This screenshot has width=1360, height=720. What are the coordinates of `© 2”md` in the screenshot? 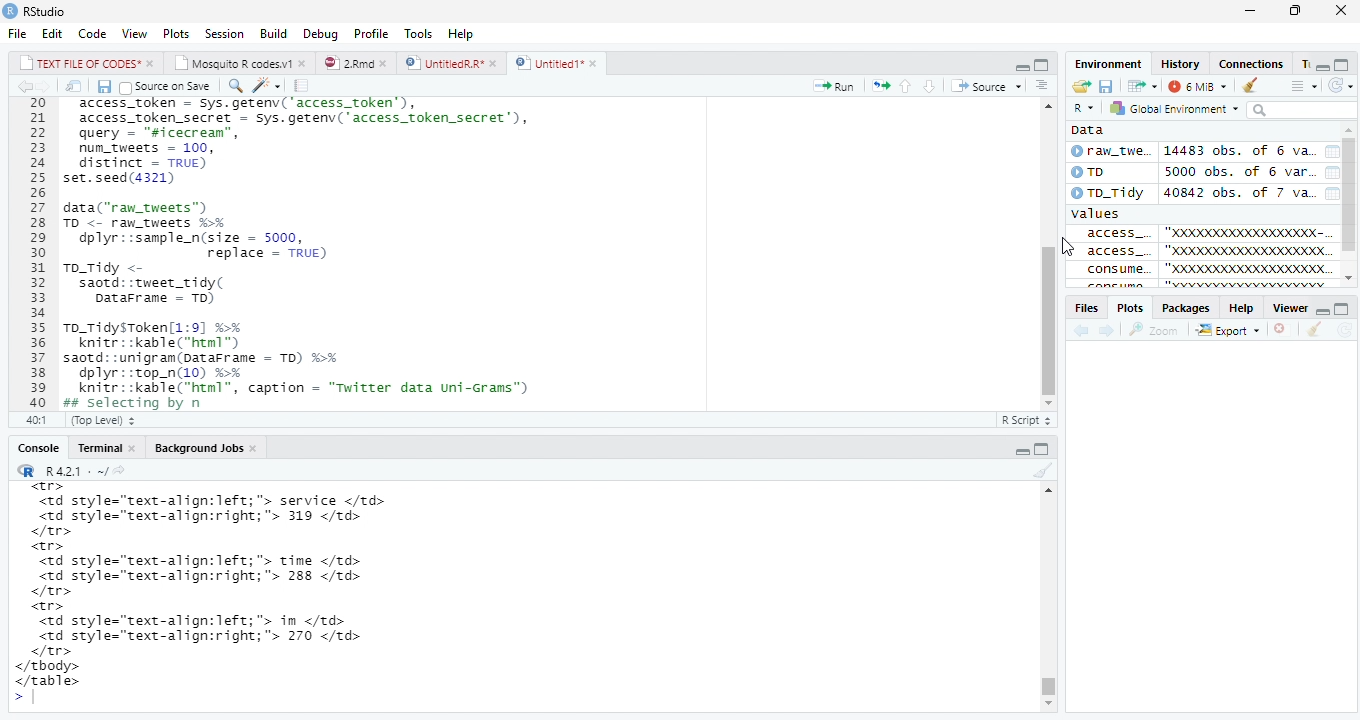 It's located at (357, 64).